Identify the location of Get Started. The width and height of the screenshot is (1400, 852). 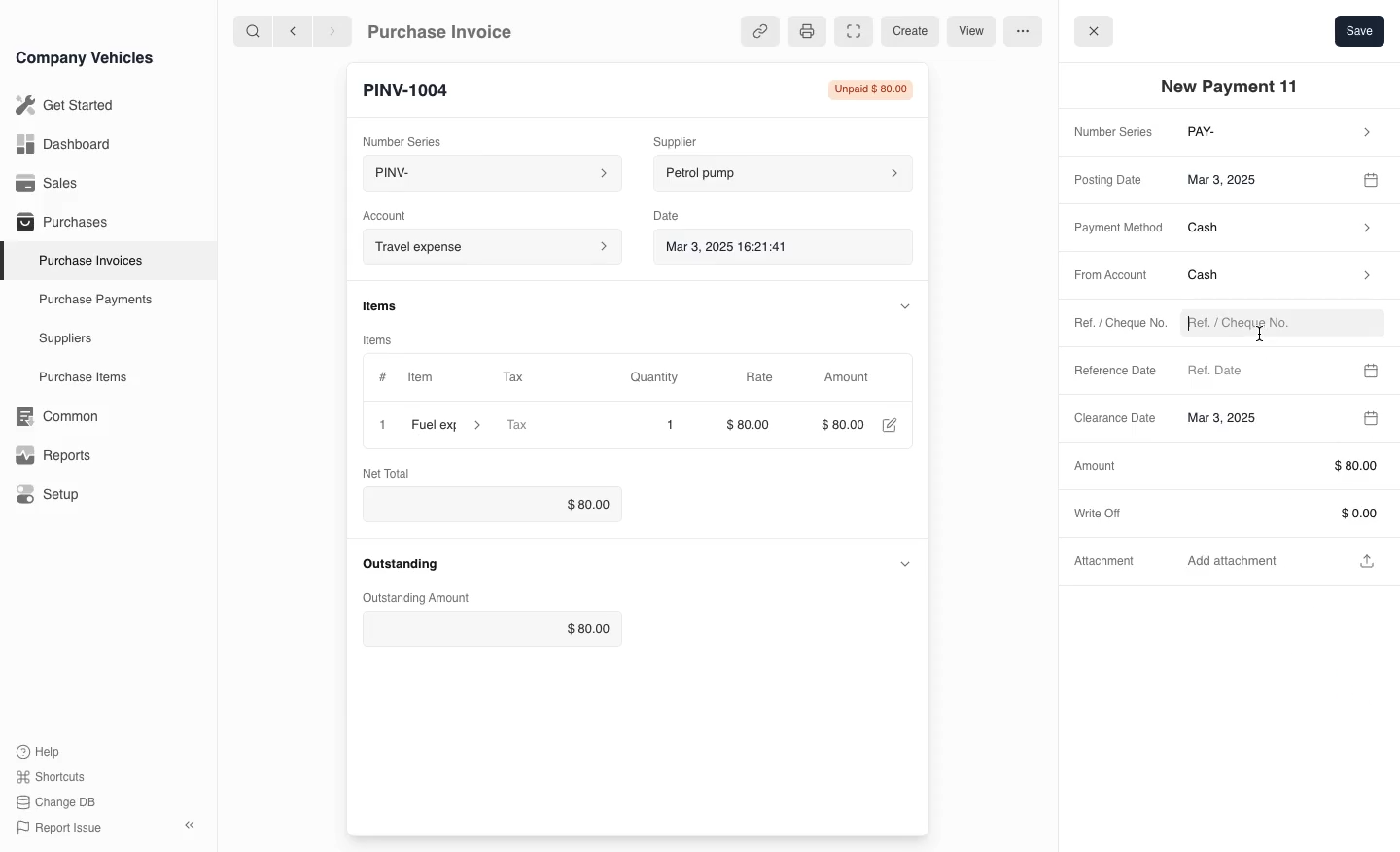
(61, 105).